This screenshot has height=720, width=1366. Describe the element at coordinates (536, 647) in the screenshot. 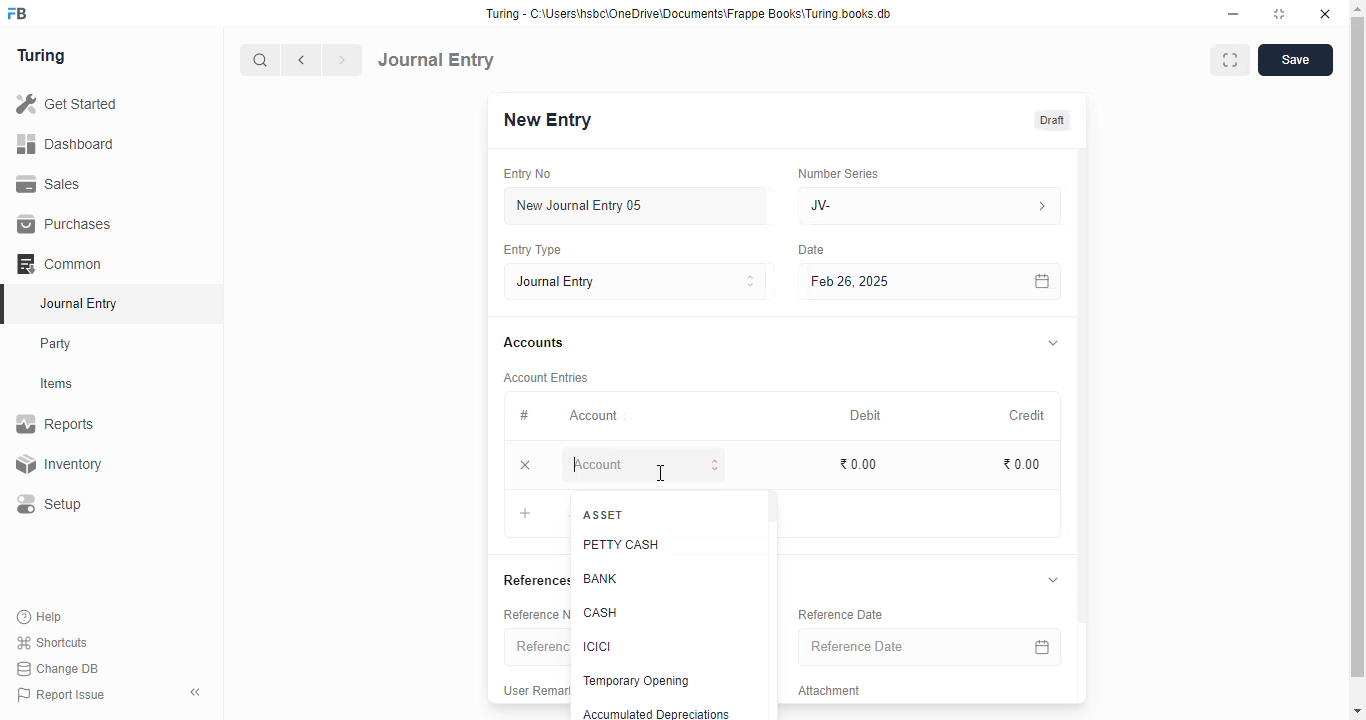

I see `reference number` at that location.